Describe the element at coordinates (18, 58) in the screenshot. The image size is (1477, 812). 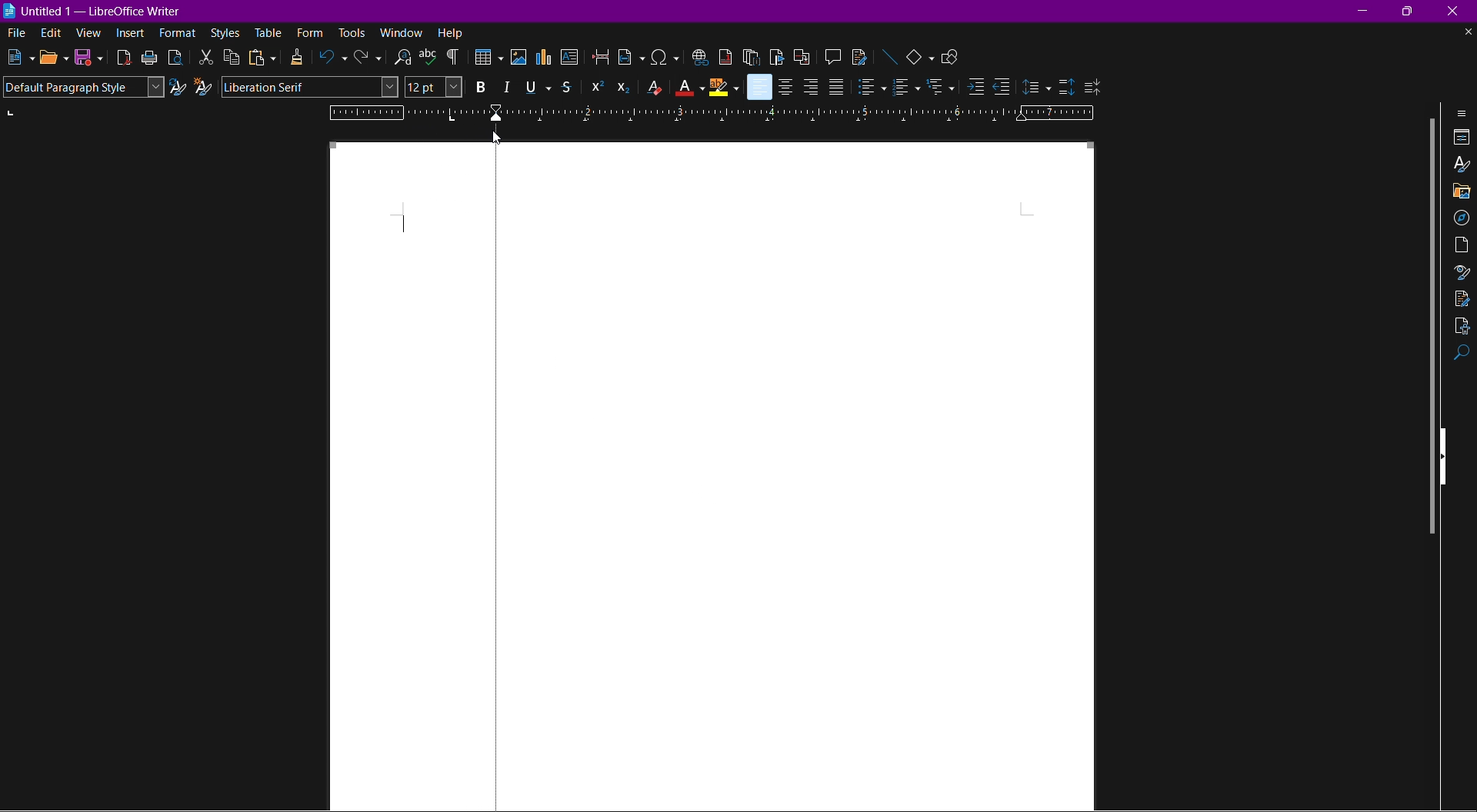
I see `New` at that location.